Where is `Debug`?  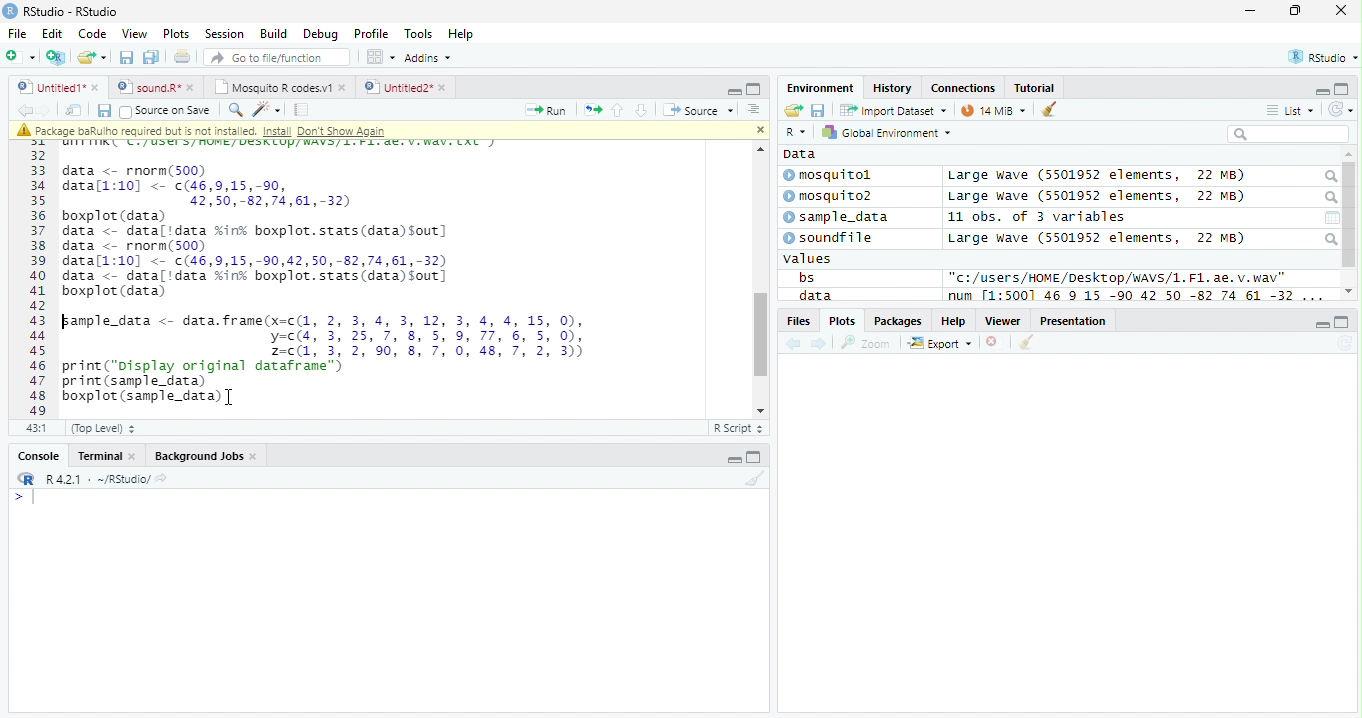
Debug is located at coordinates (319, 34).